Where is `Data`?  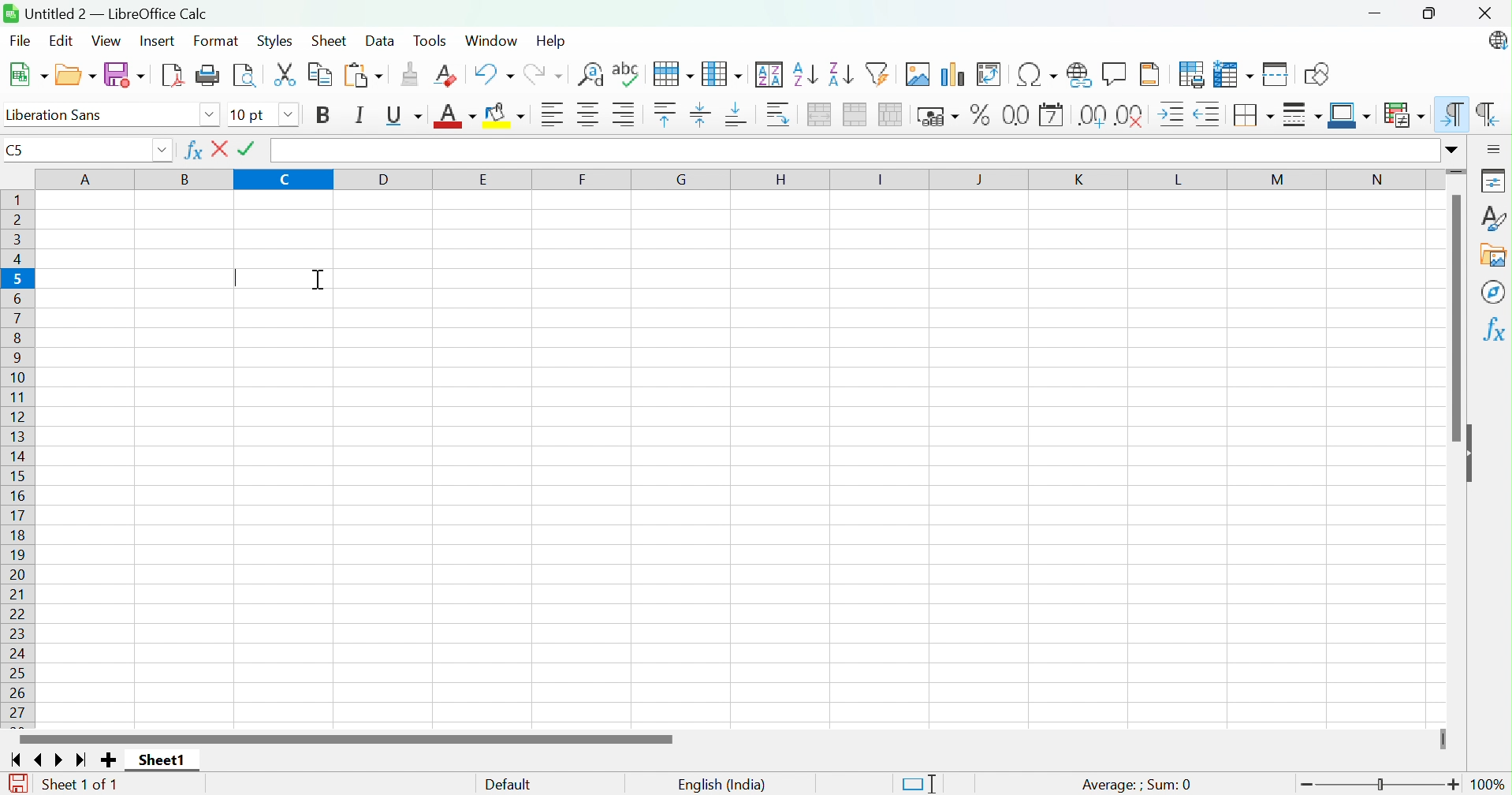 Data is located at coordinates (380, 41).